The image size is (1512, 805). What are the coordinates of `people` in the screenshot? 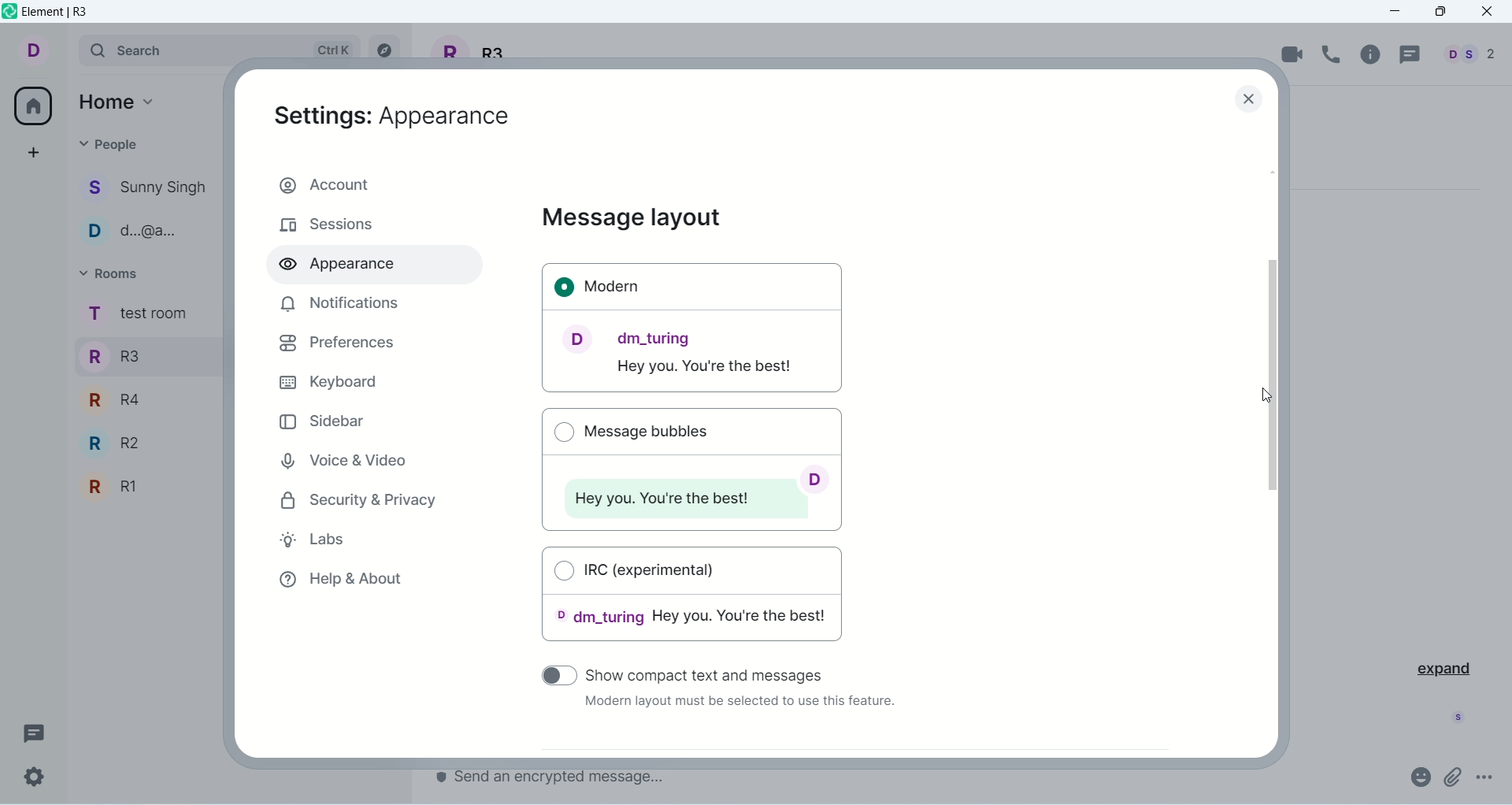 It's located at (147, 190).